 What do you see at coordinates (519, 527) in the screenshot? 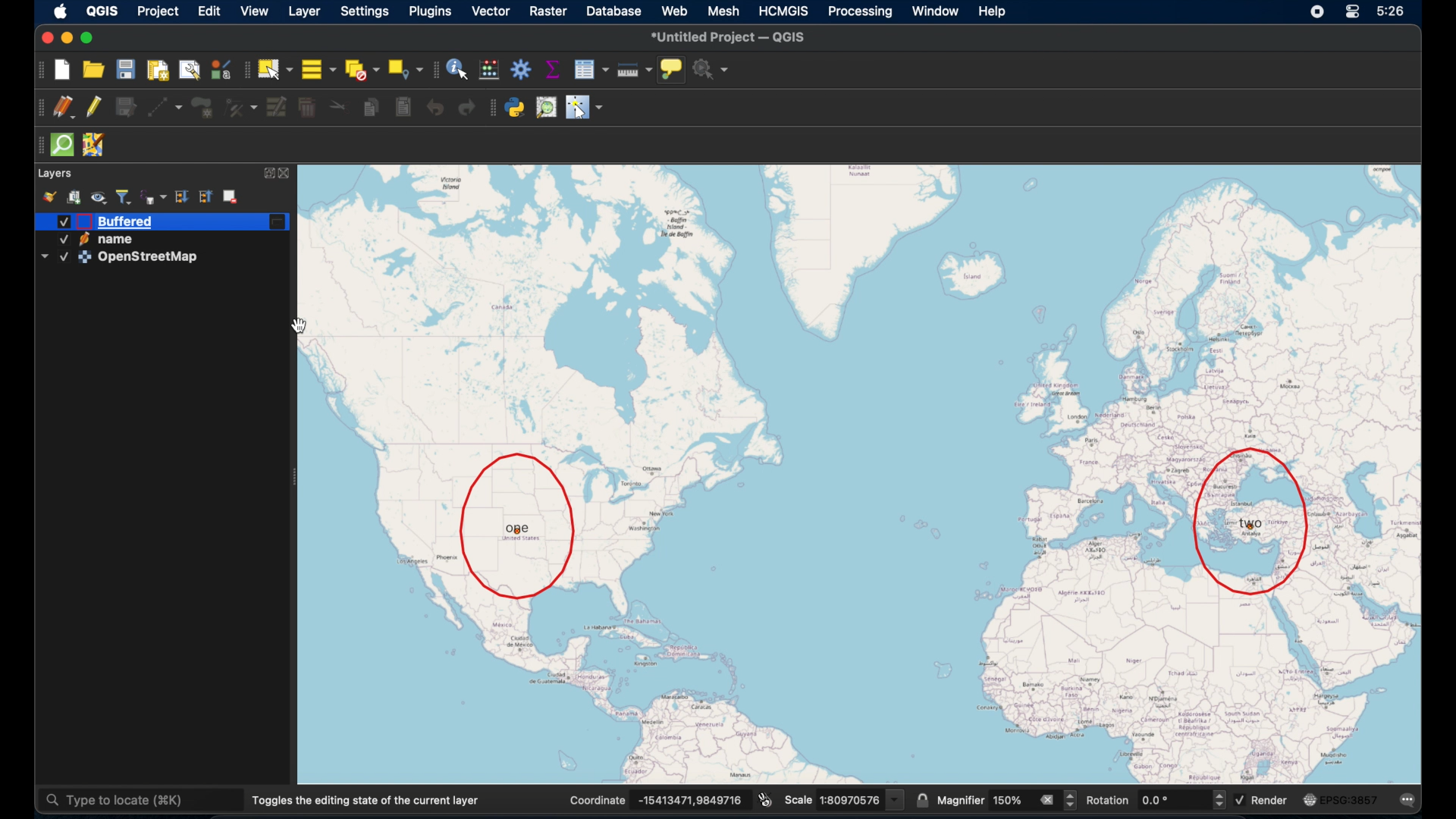
I see `one` at bounding box center [519, 527].